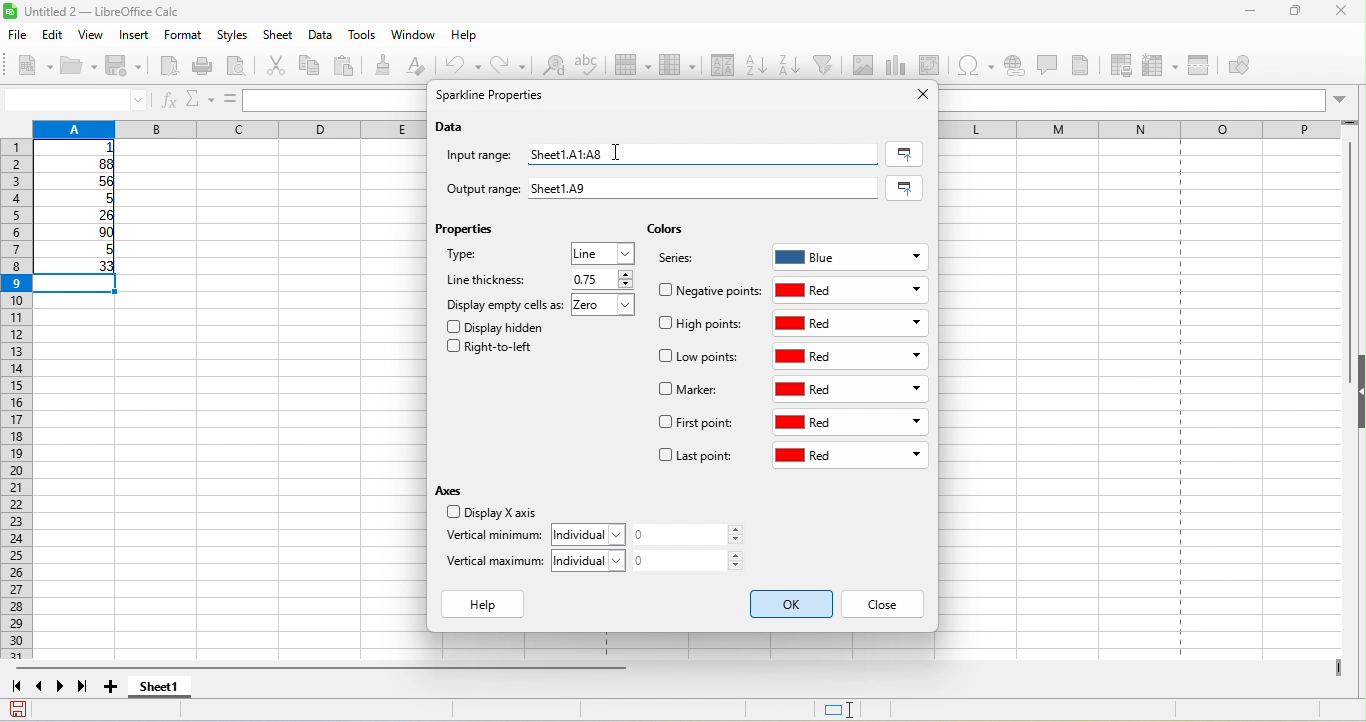 This screenshot has width=1366, height=722. I want to click on output range, so click(474, 186).